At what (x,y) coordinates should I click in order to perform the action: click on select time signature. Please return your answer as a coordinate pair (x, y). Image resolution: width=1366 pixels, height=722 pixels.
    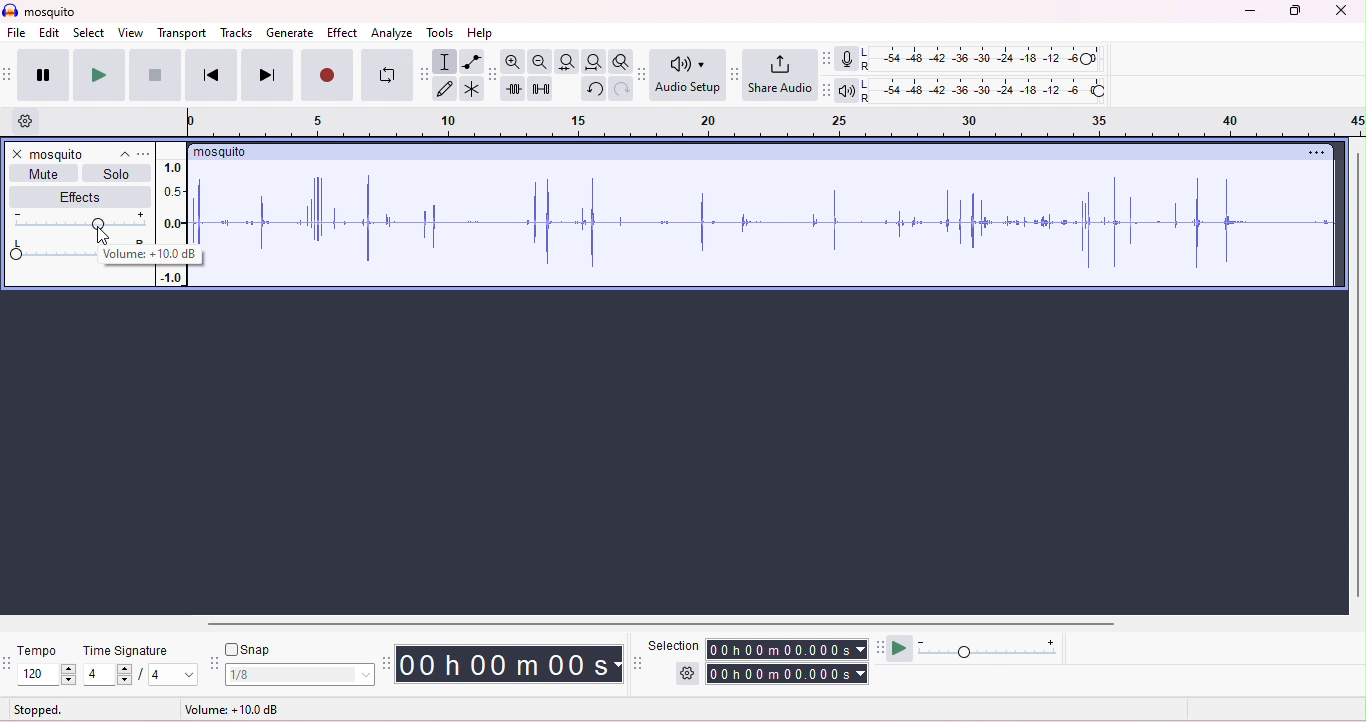
    Looking at the image, I should click on (106, 675).